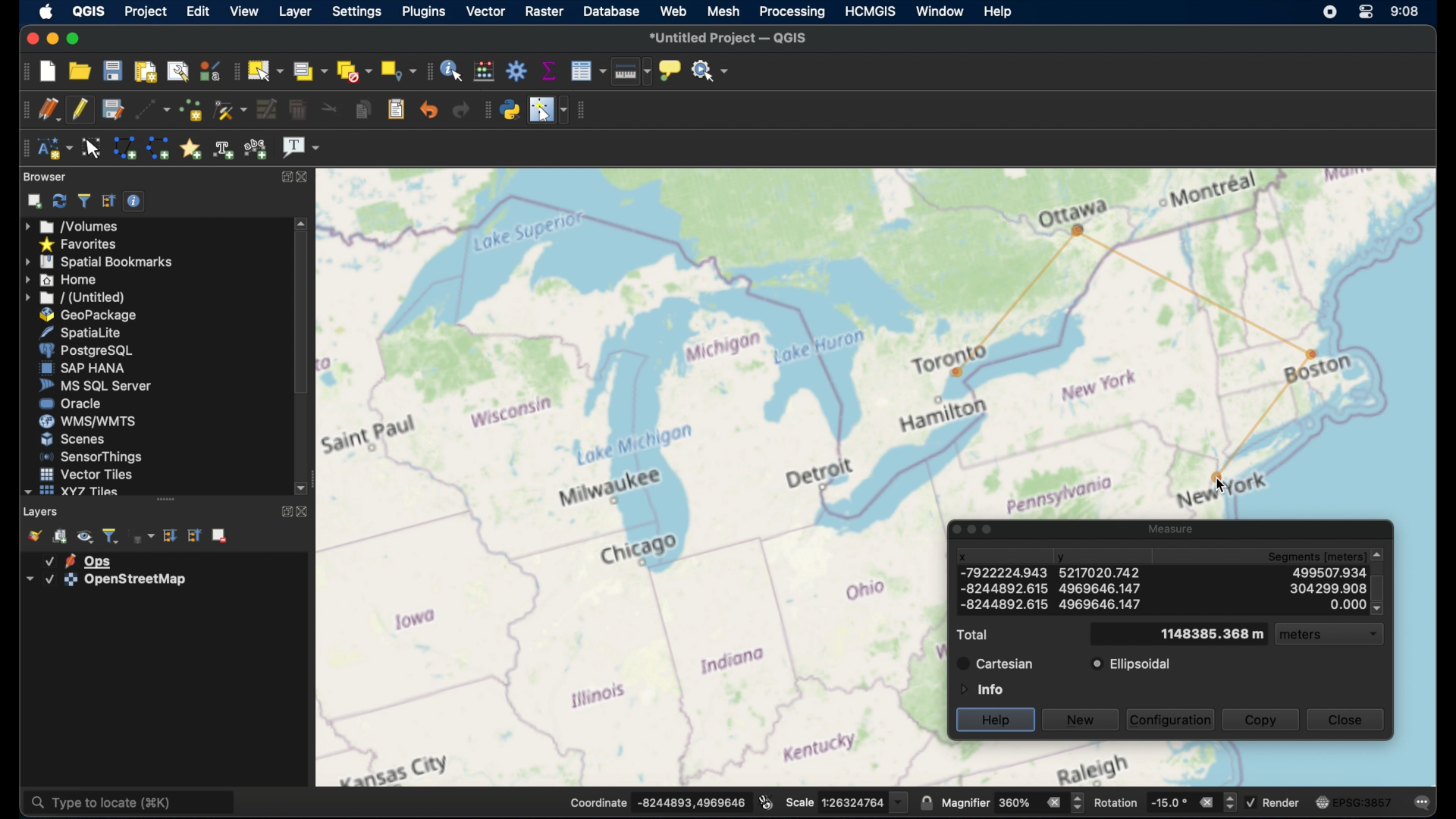  Describe the element at coordinates (85, 473) in the screenshot. I see `vector tiles` at that location.